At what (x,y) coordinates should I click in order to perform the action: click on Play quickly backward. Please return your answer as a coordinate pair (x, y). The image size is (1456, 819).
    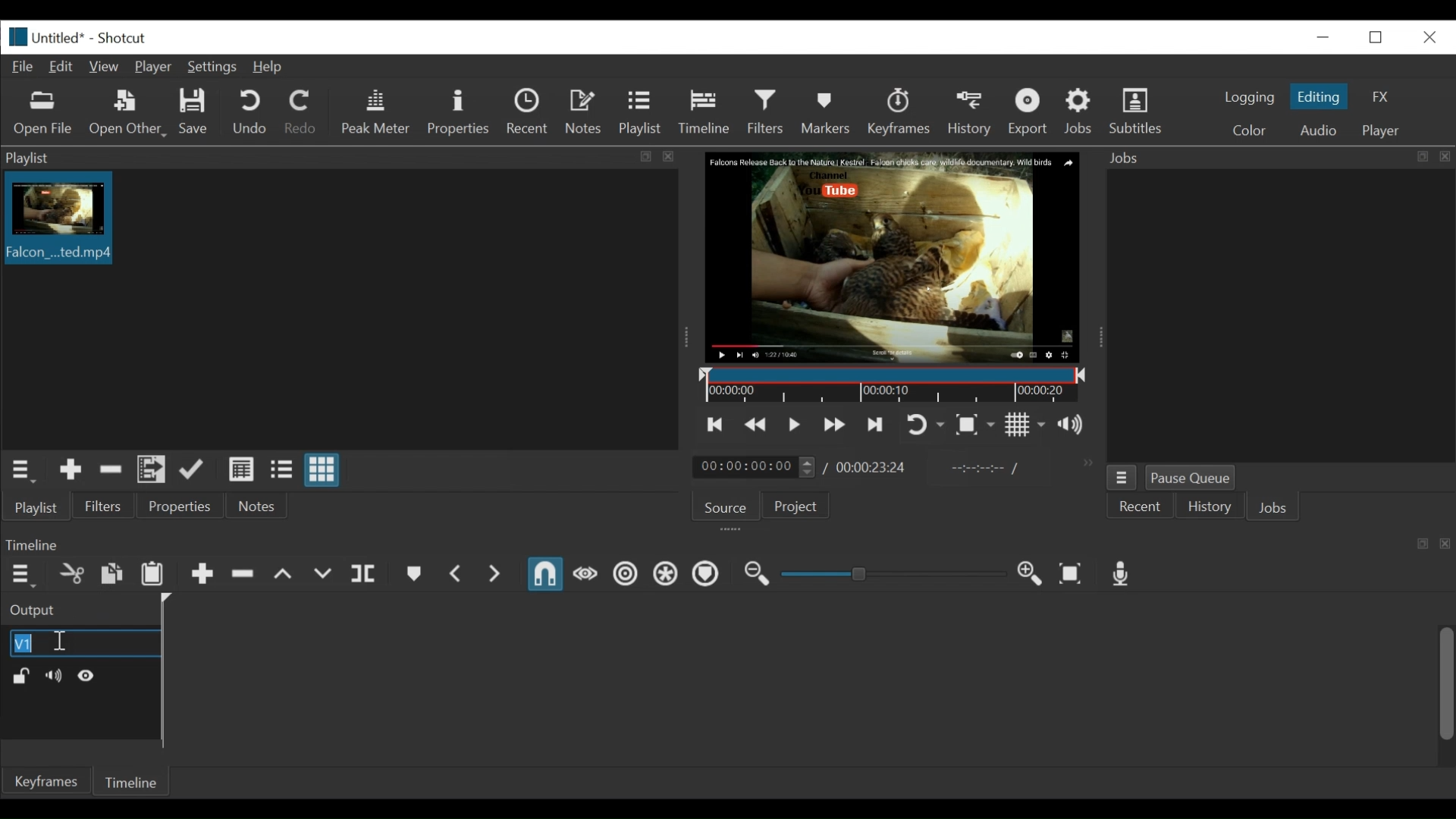
    Looking at the image, I should click on (757, 425).